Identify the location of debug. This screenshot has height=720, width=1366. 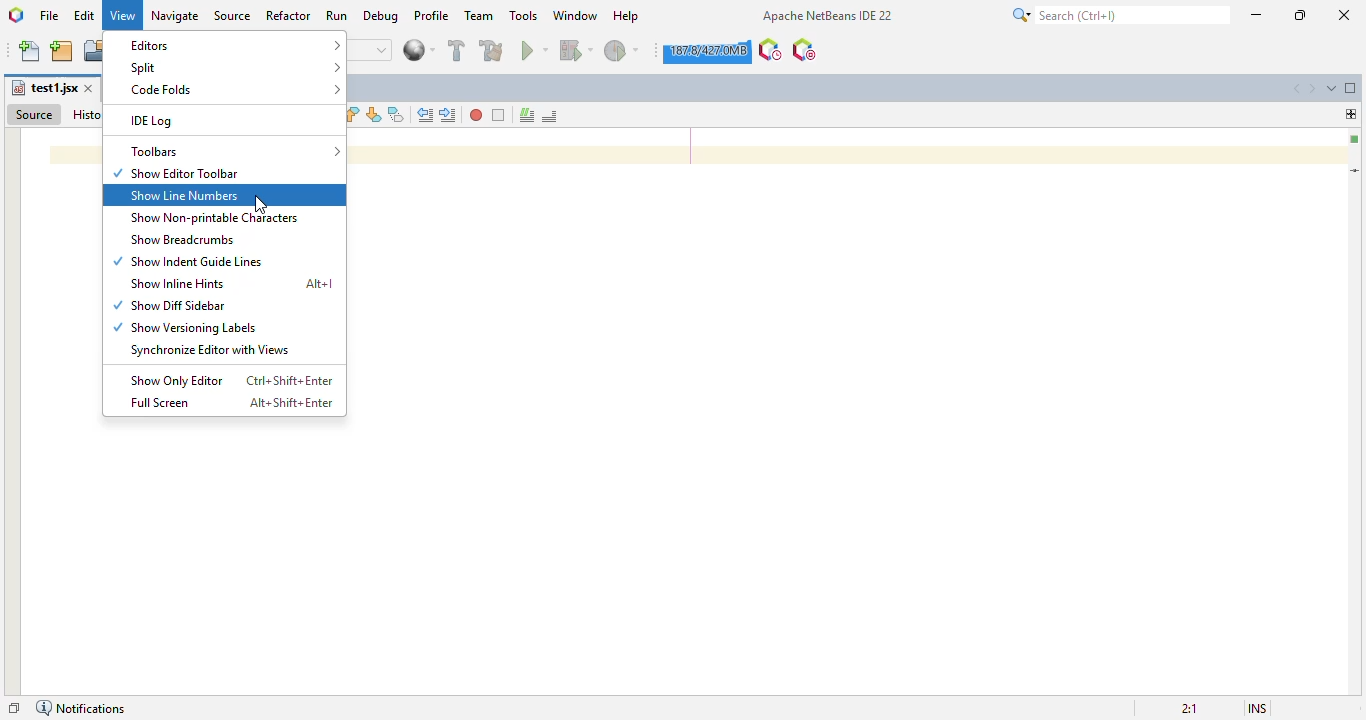
(382, 16).